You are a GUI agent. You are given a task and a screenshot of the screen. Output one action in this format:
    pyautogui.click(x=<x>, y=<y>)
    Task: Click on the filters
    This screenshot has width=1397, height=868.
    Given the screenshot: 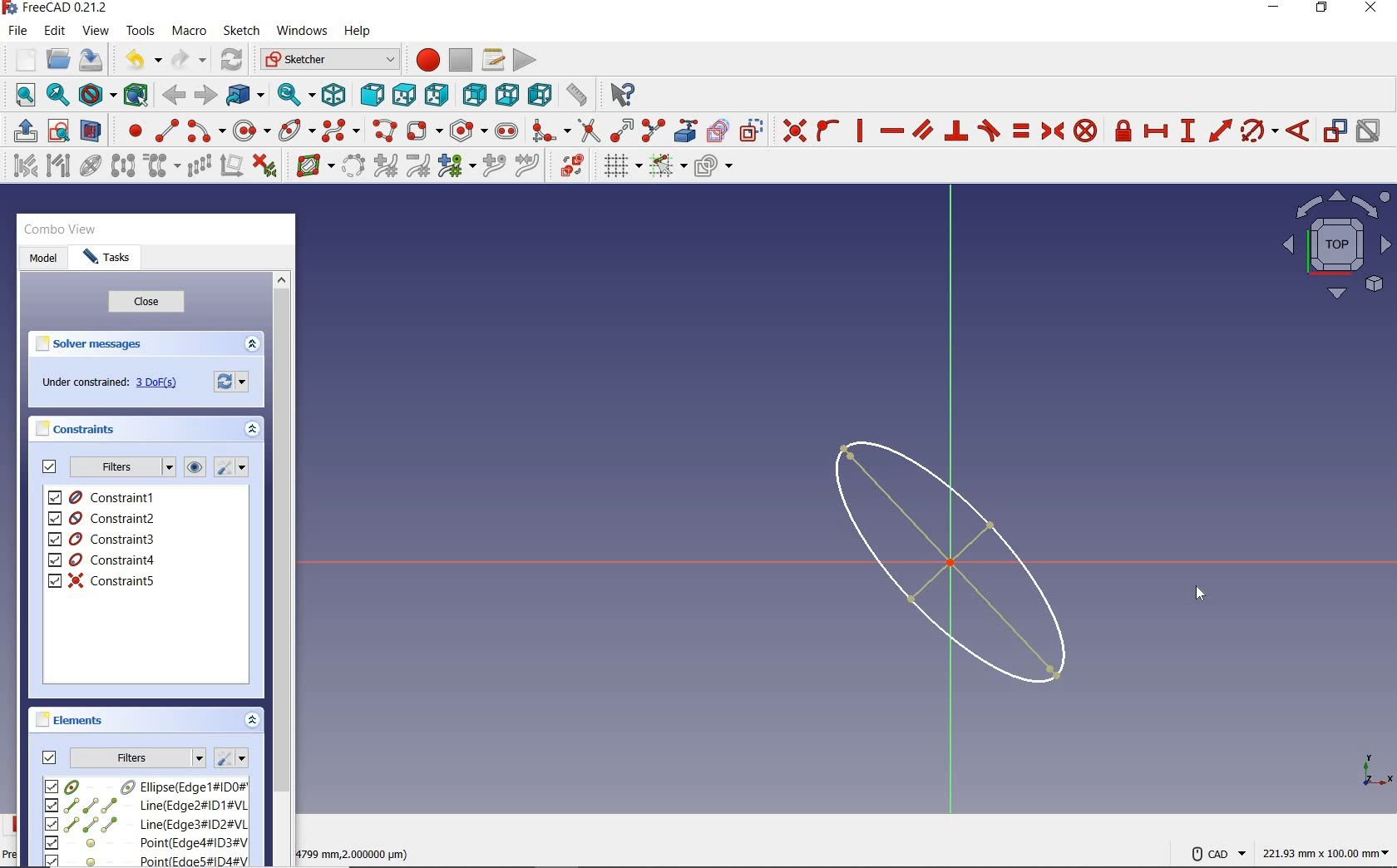 What is the action you would take?
    pyautogui.click(x=138, y=756)
    